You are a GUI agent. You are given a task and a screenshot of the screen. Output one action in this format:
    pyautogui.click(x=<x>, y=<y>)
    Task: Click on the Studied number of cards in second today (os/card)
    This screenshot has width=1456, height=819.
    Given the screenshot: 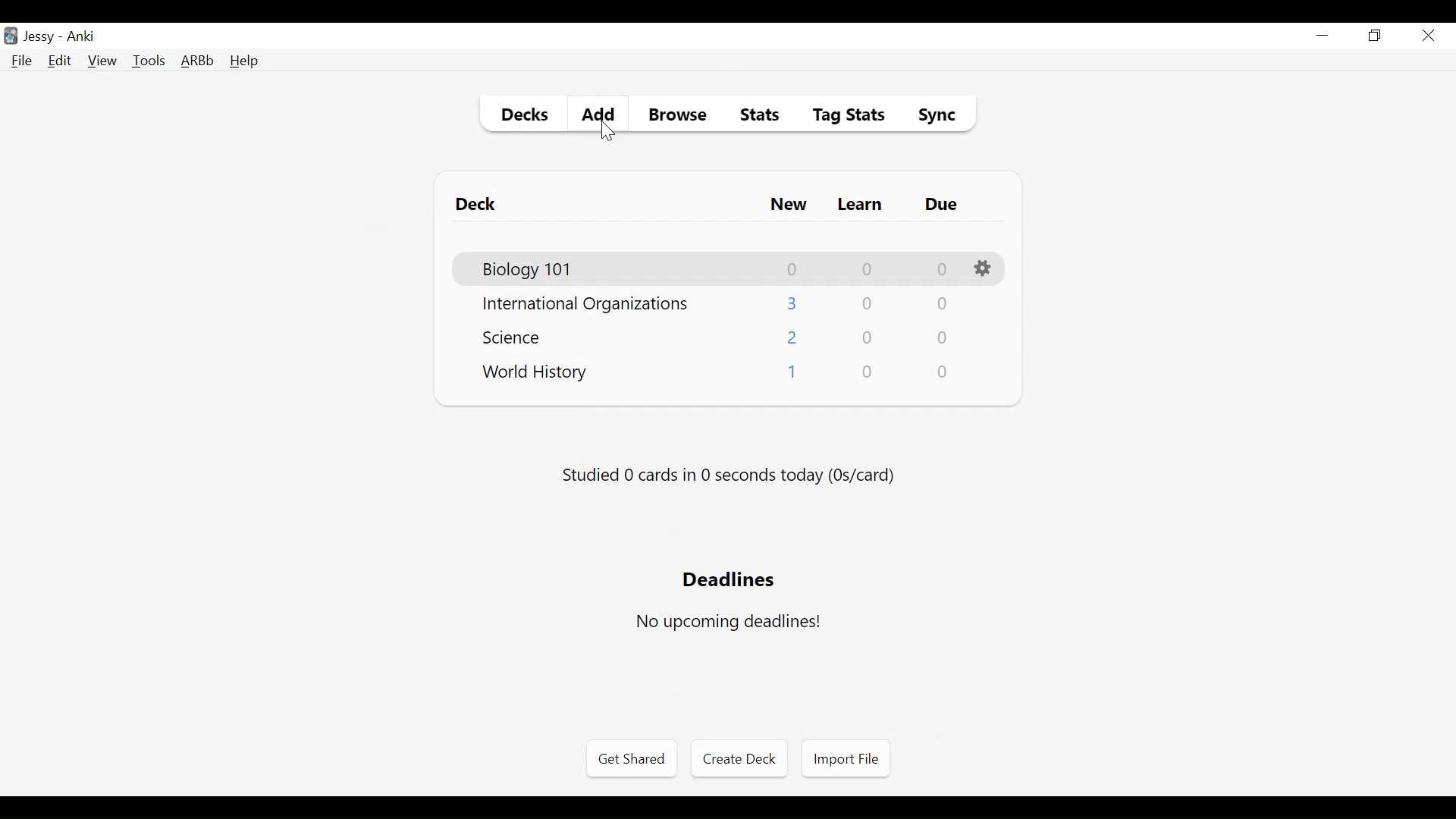 What is the action you would take?
    pyautogui.click(x=730, y=476)
    